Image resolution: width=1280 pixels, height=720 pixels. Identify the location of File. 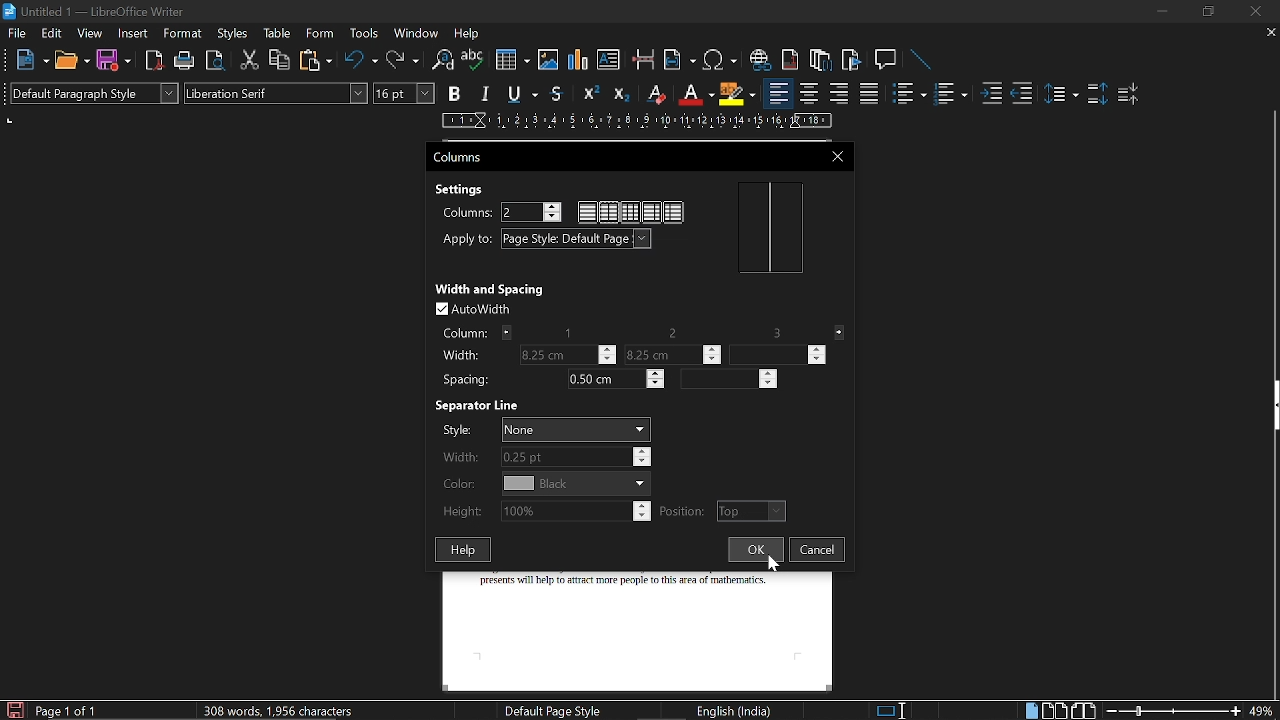
(17, 33).